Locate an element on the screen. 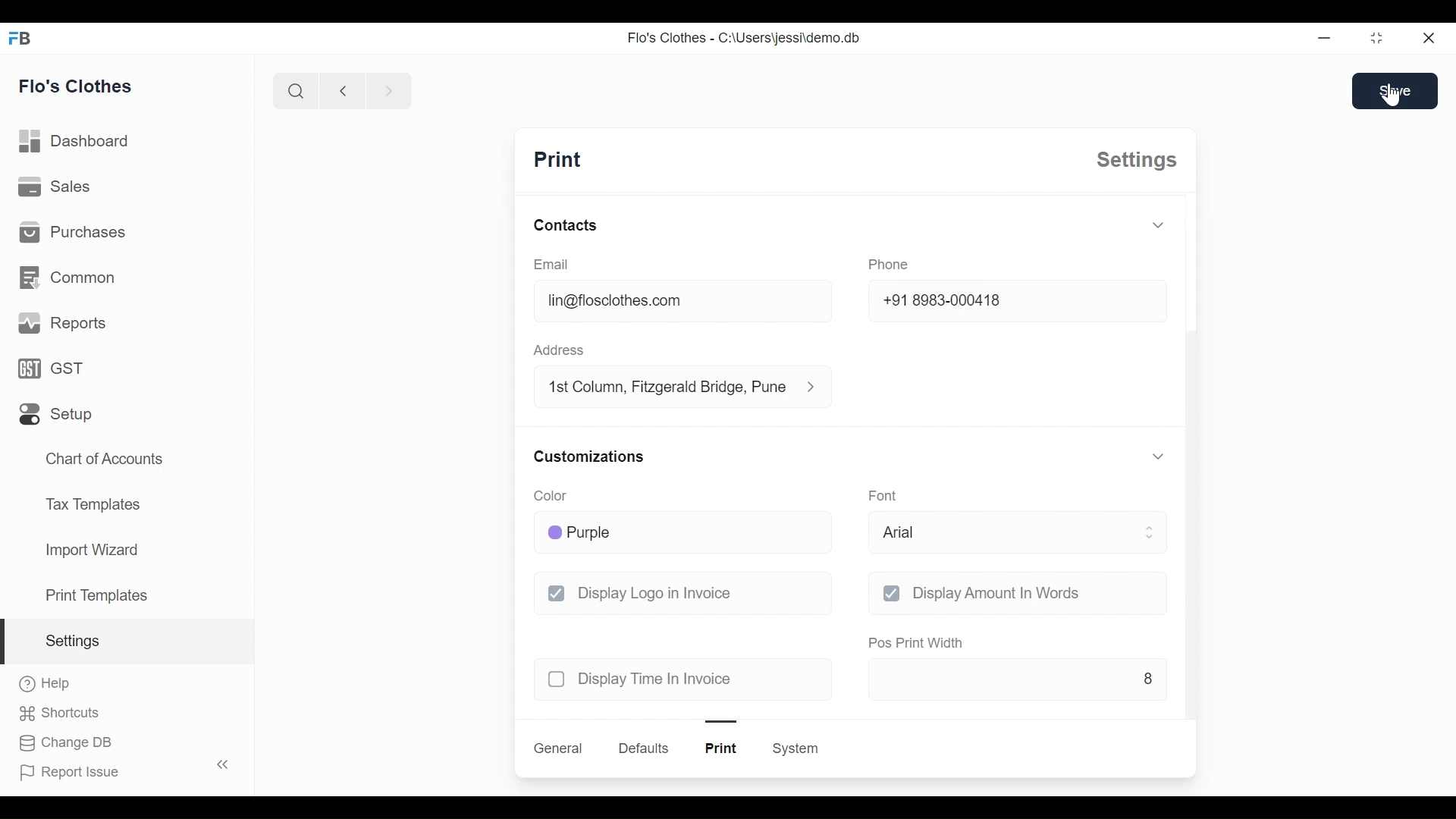 The width and height of the screenshot is (1456, 819). contacts is located at coordinates (566, 224).